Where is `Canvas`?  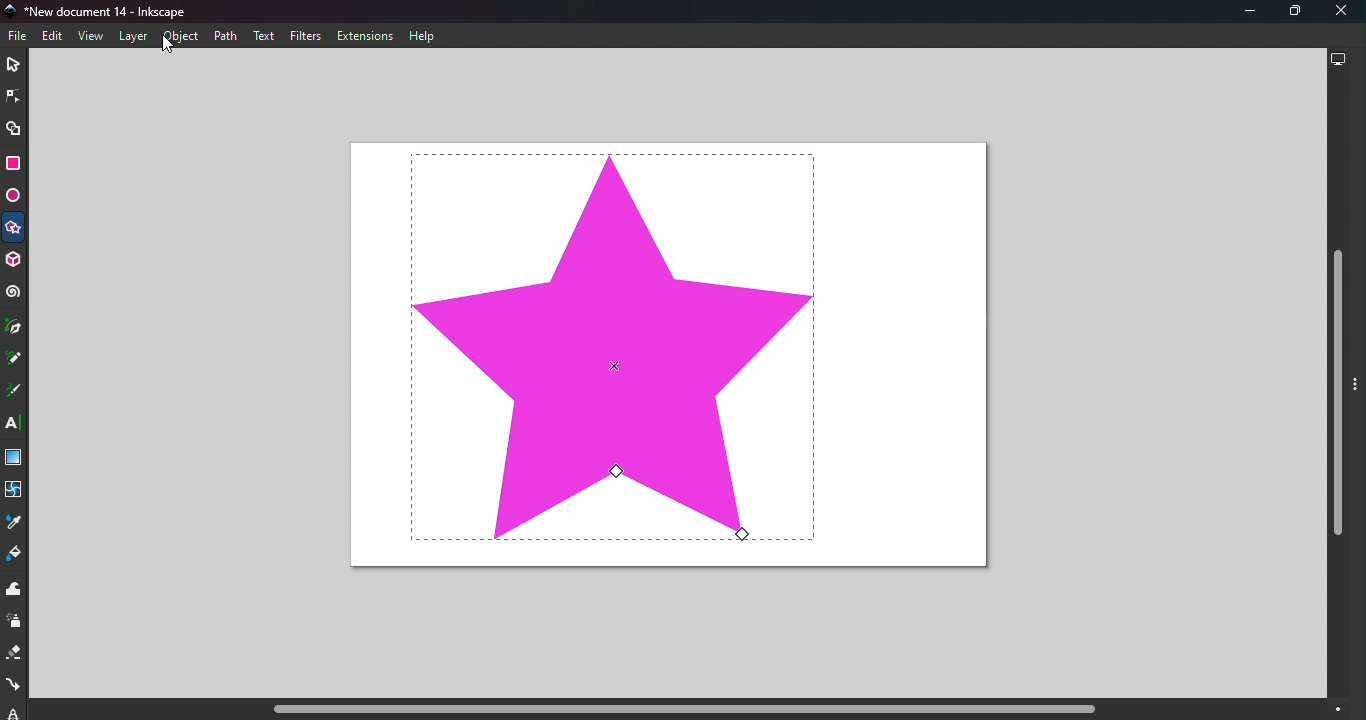
Canvas is located at coordinates (667, 356).